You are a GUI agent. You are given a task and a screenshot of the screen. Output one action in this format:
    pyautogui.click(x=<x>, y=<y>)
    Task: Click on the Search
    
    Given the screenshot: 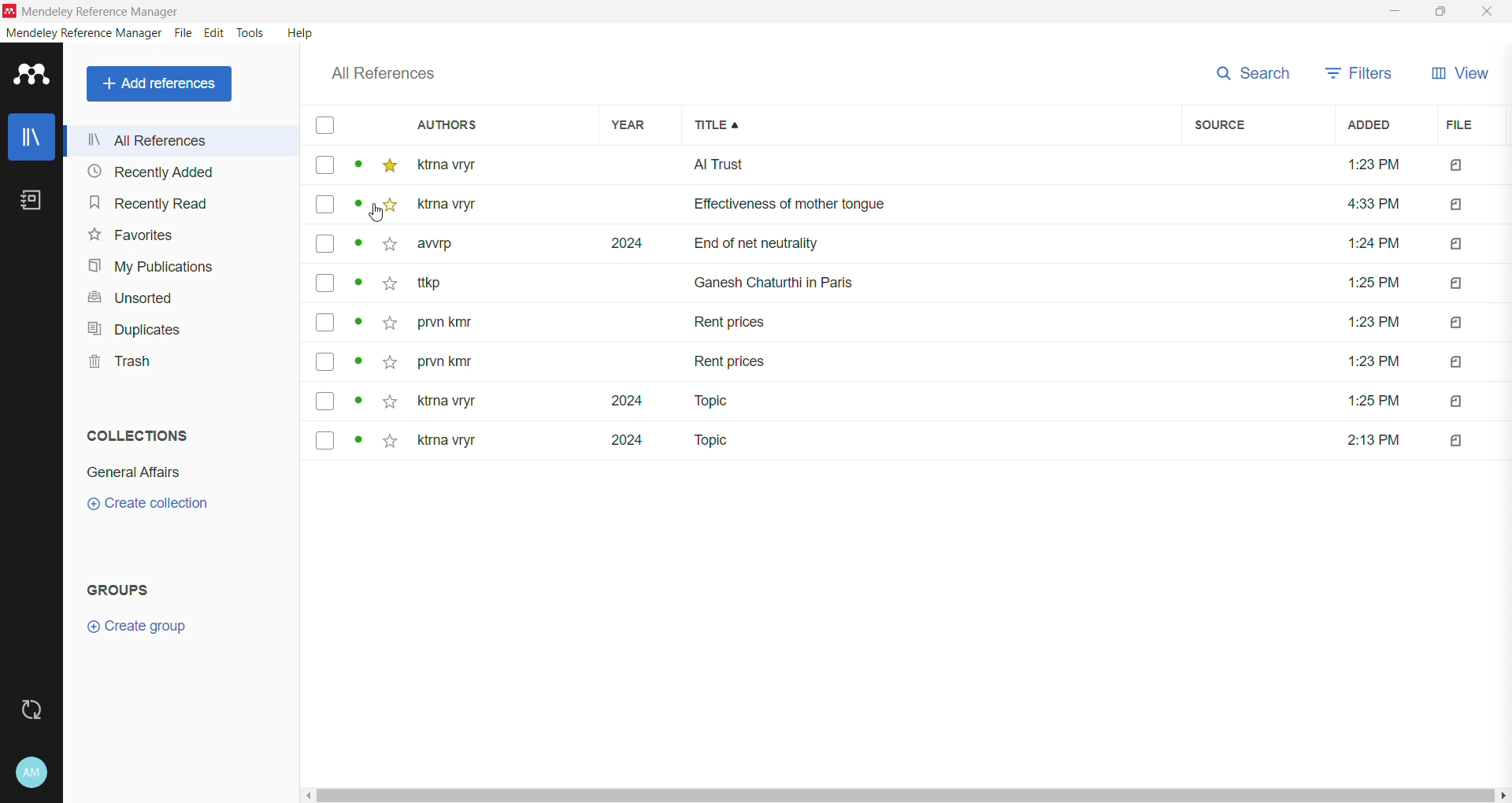 What is the action you would take?
    pyautogui.click(x=1249, y=73)
    